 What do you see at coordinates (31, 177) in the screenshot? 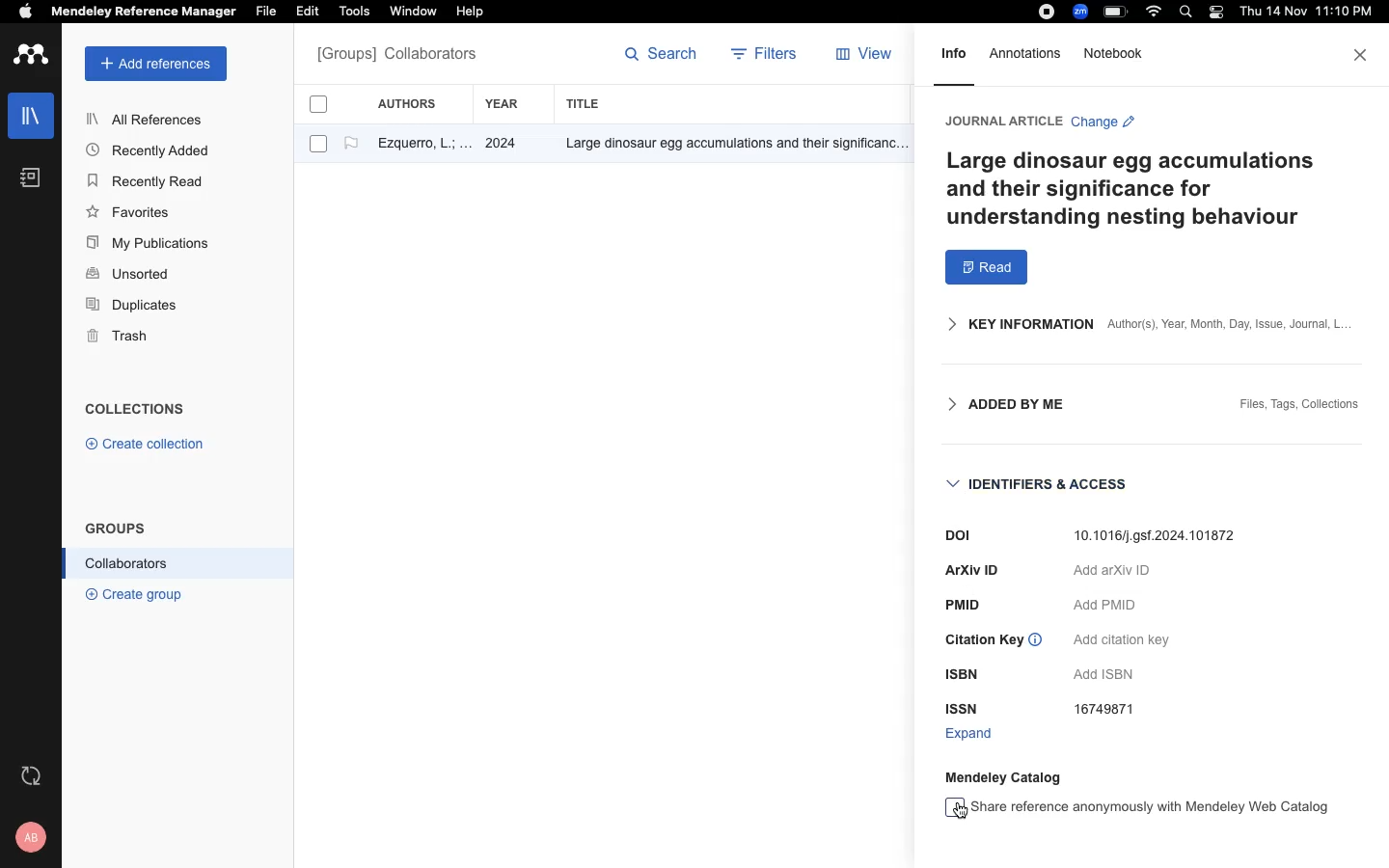
I see `notebook` at bounding box center [31, 177].